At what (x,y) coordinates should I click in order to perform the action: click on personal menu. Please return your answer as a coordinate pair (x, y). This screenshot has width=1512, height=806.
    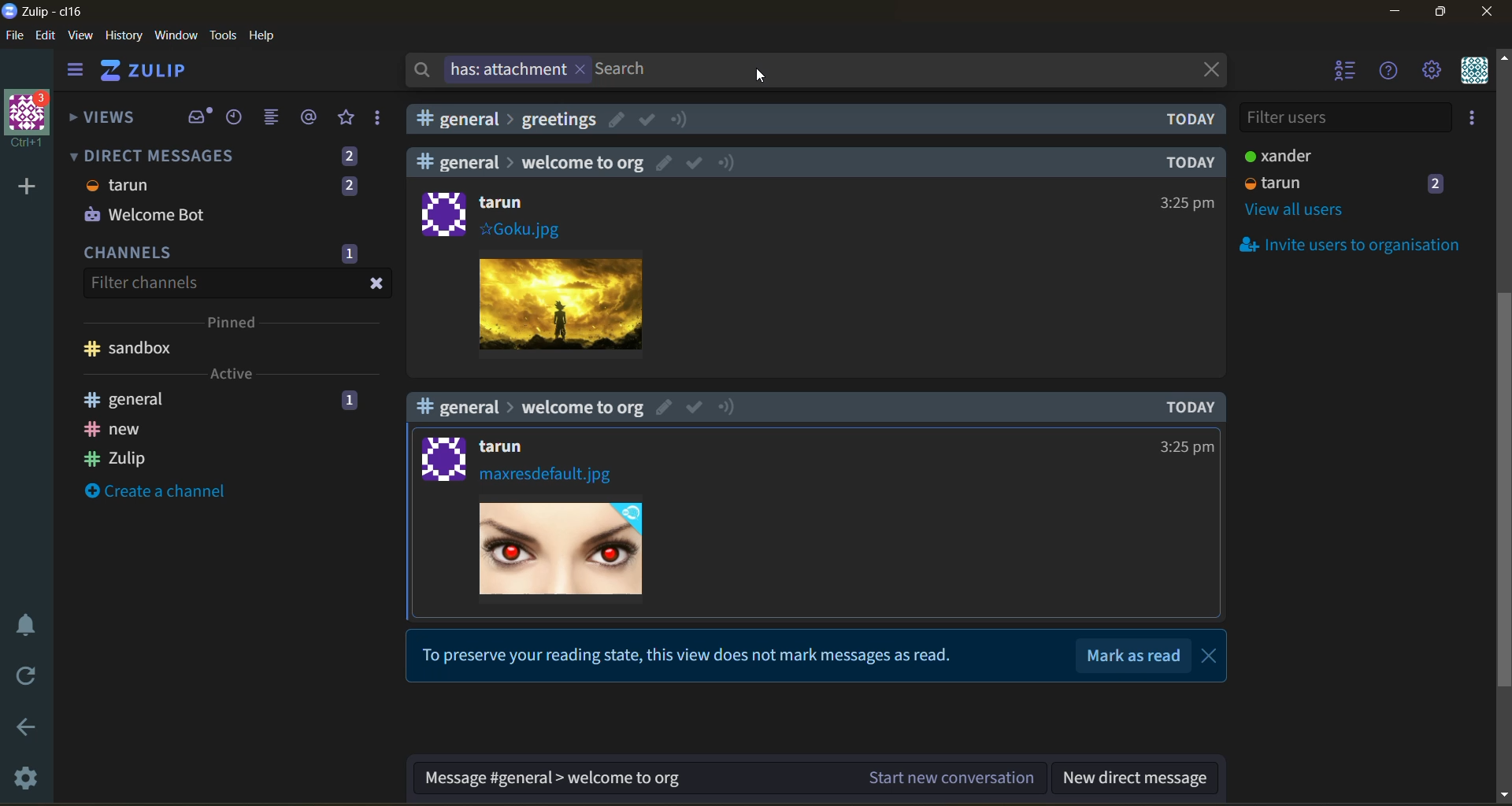
    Looking at the image, I should click on (1475, 71).